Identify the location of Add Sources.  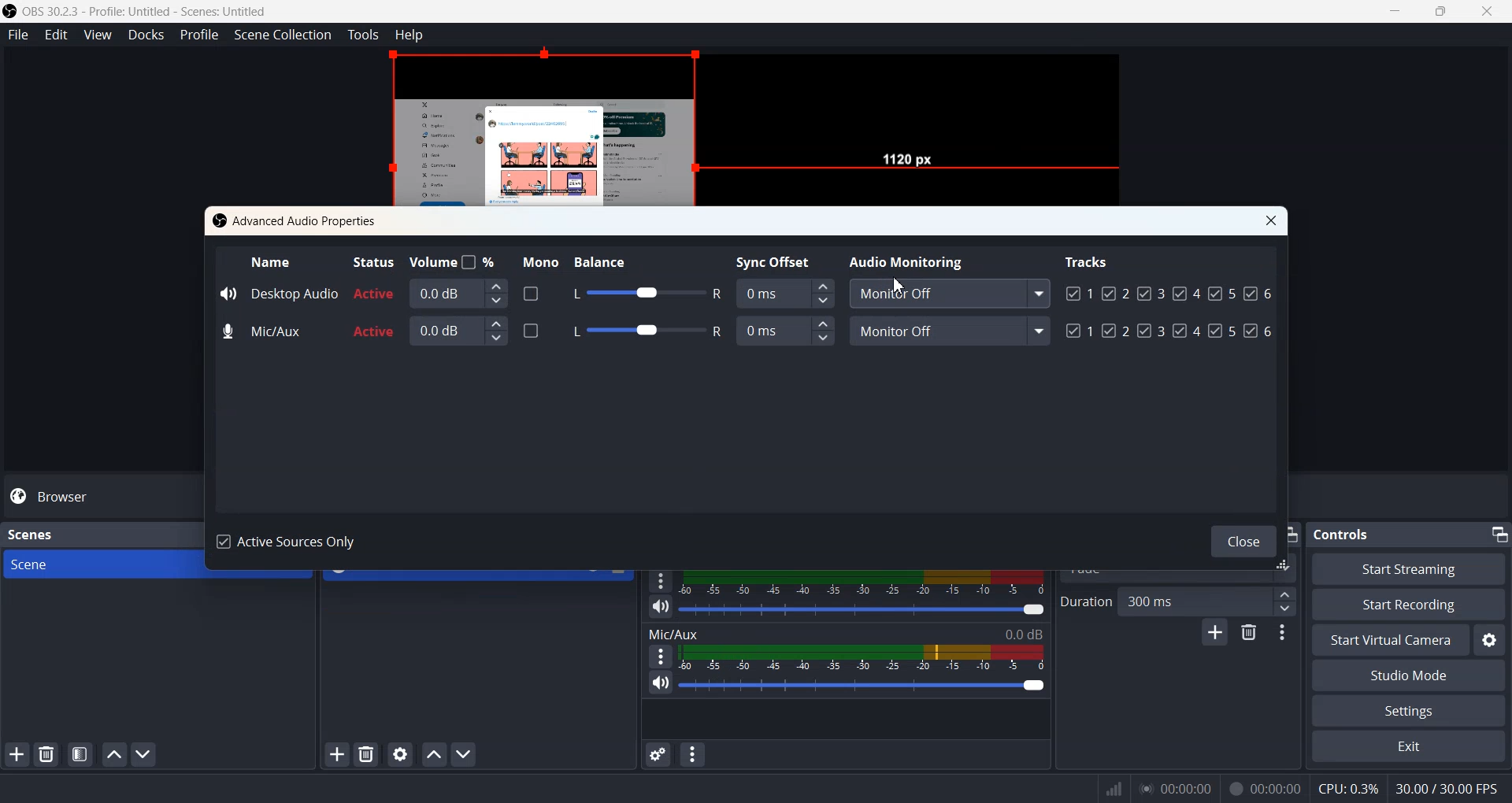
(337, 753).